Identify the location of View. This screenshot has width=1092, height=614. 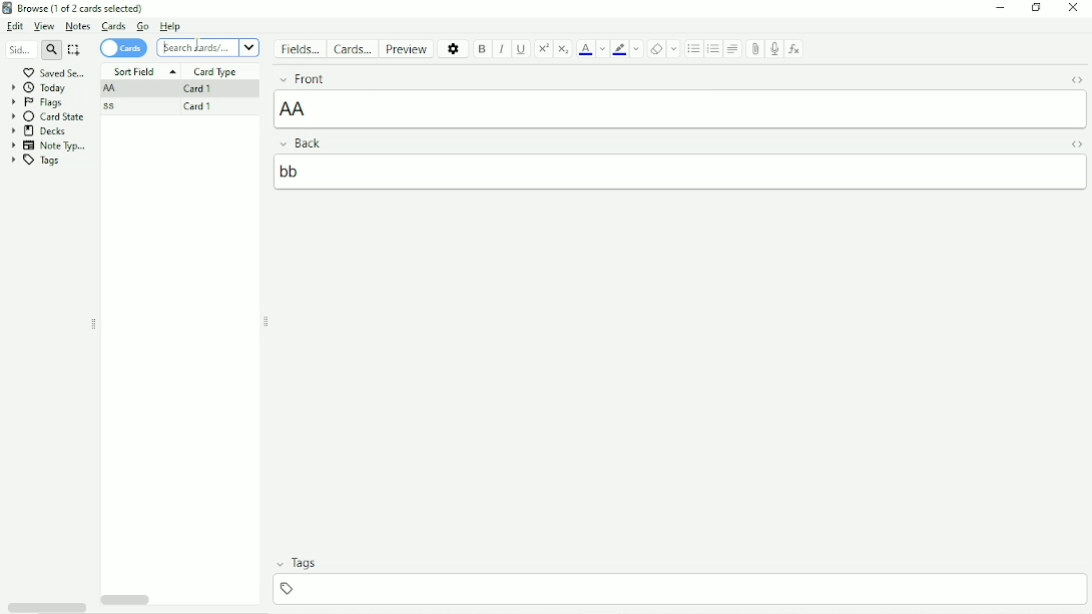
(46, 27).